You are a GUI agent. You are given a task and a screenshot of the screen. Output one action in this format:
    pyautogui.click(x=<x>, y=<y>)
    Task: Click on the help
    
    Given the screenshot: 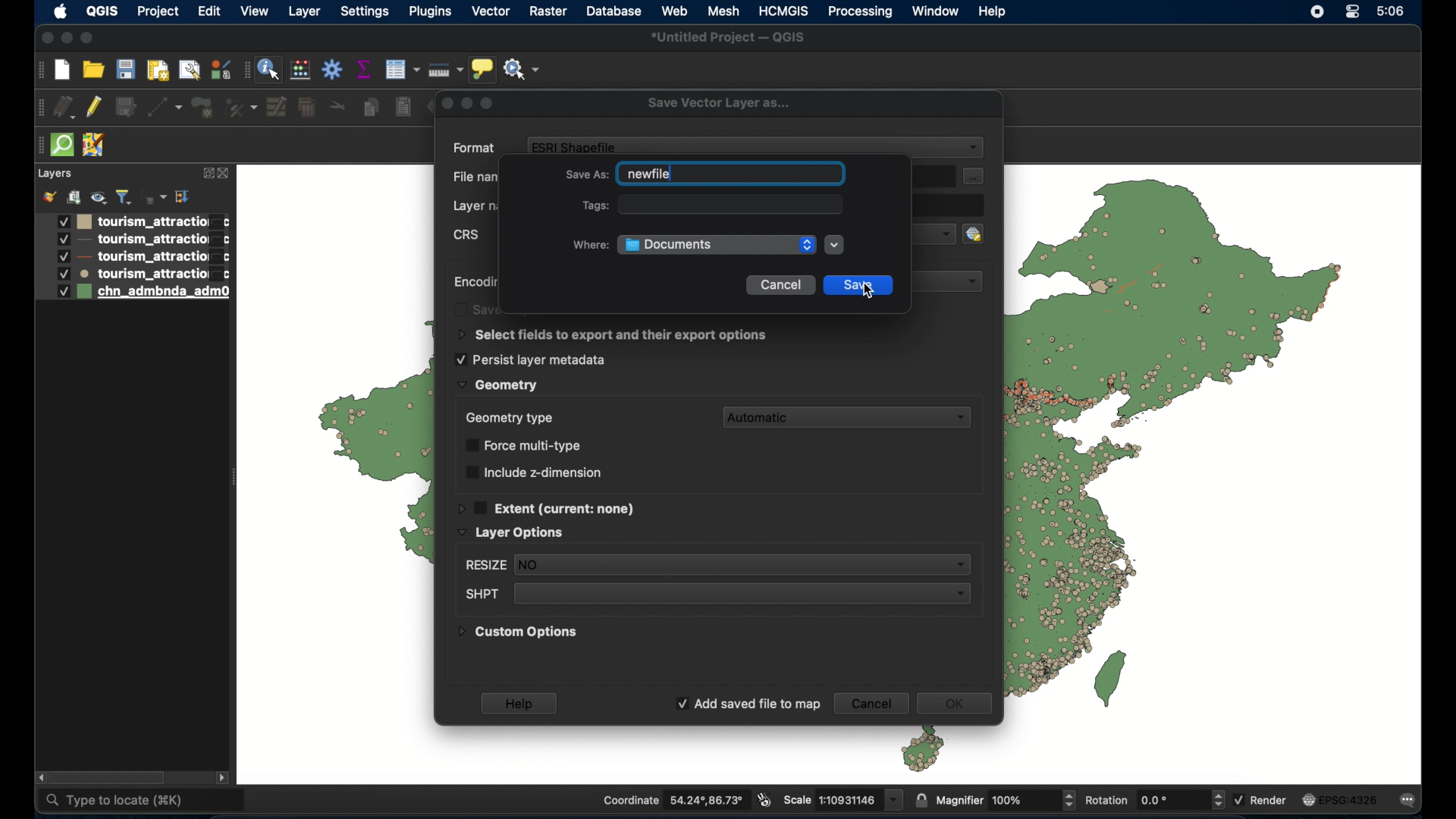 What is the action you would take?
    pyautogui.click(x=521, y=703)
    